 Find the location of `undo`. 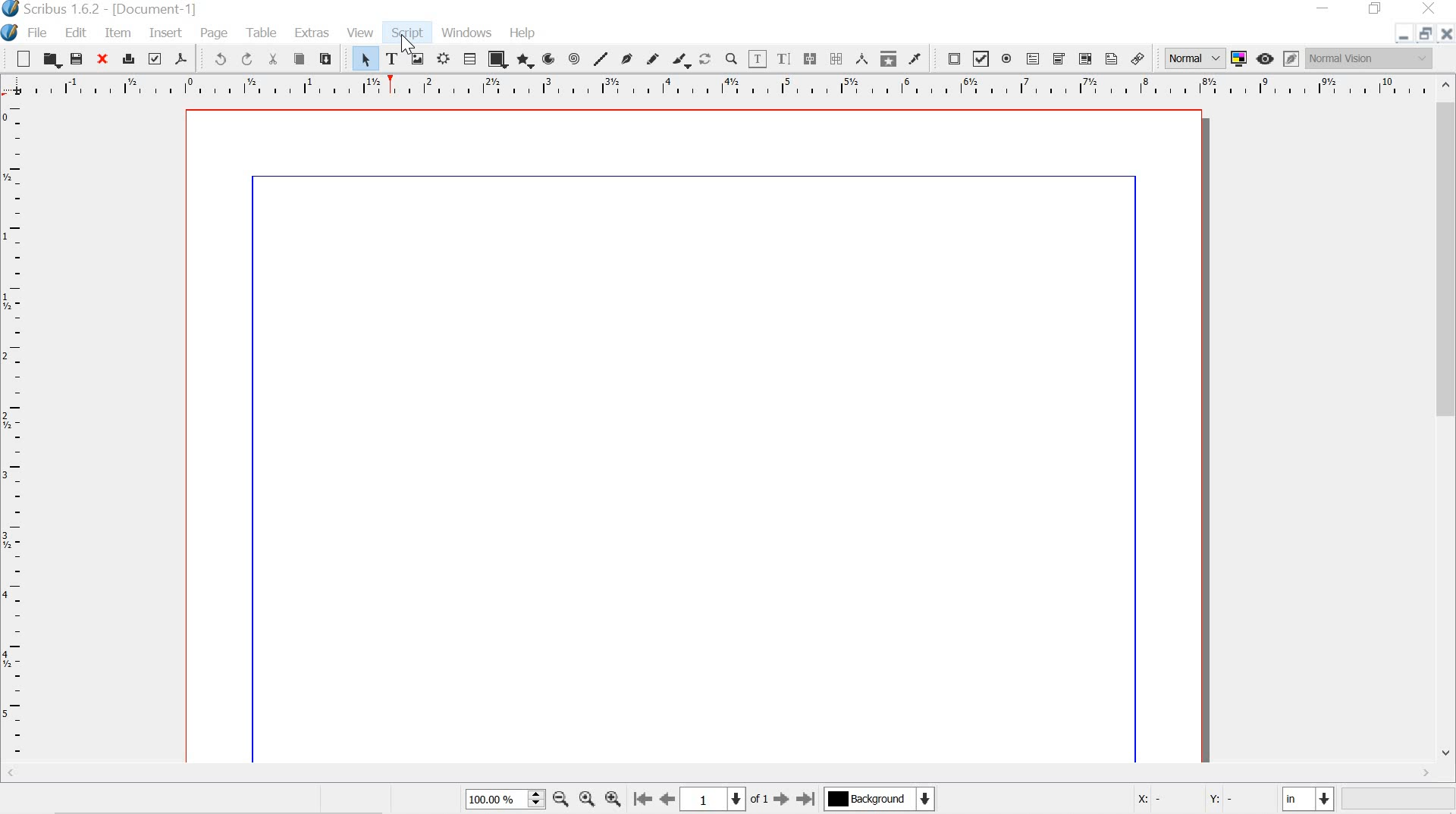

undo is located at coordinates (215, 59).